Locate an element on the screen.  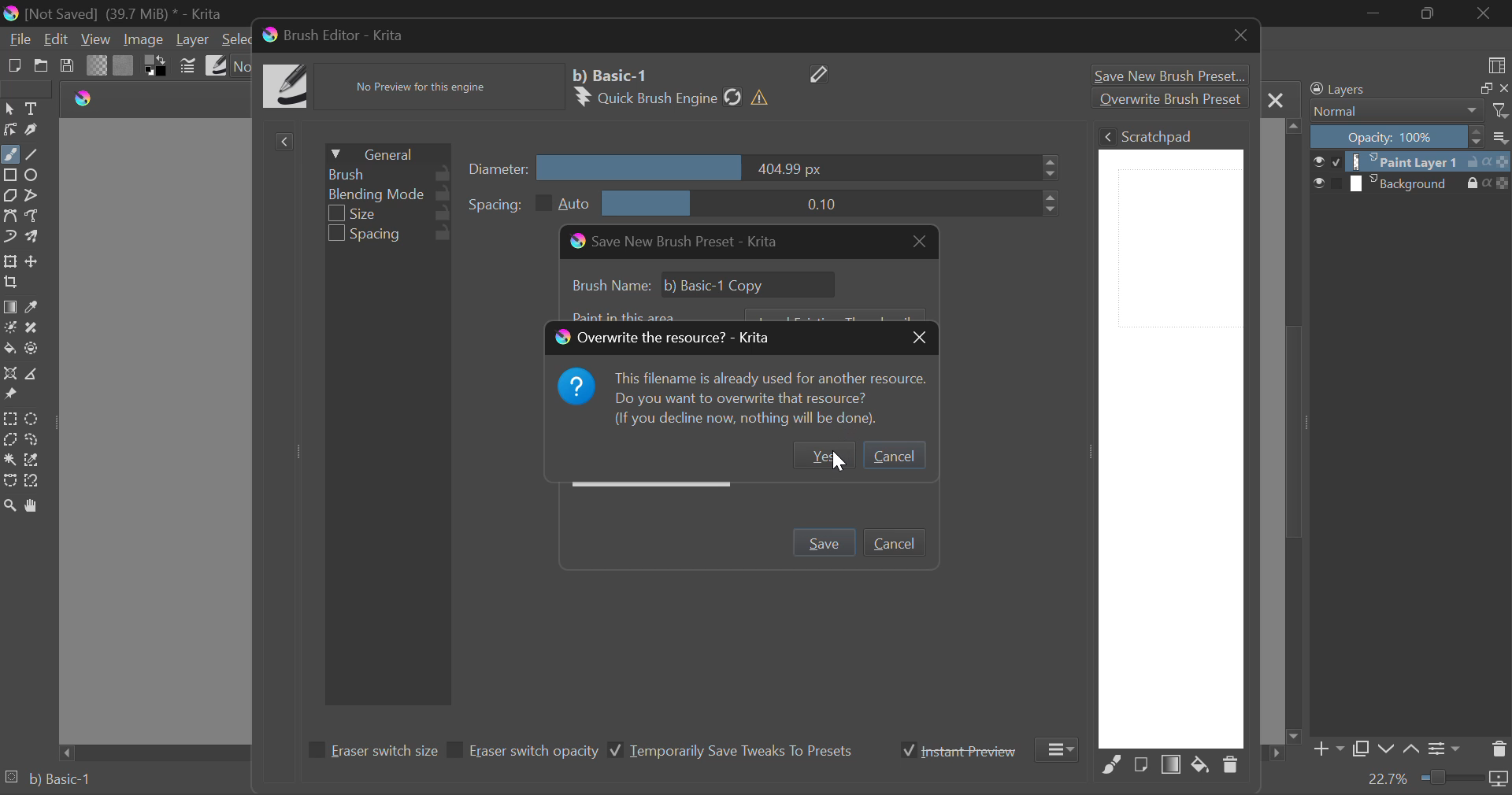
Open is located at coordinates (39, 65).